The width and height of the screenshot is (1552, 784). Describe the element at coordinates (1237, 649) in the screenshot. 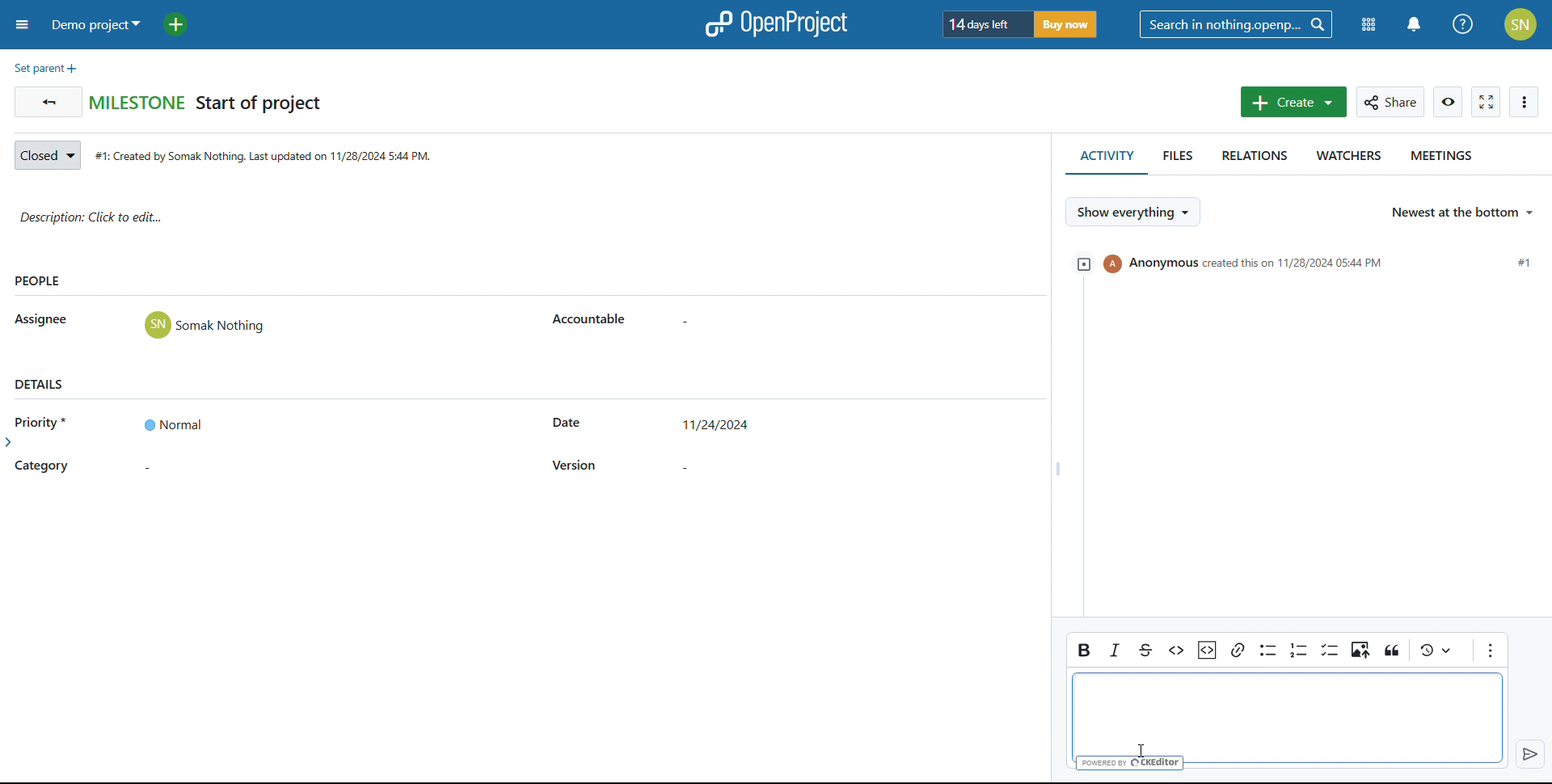

I see `link` at that location.